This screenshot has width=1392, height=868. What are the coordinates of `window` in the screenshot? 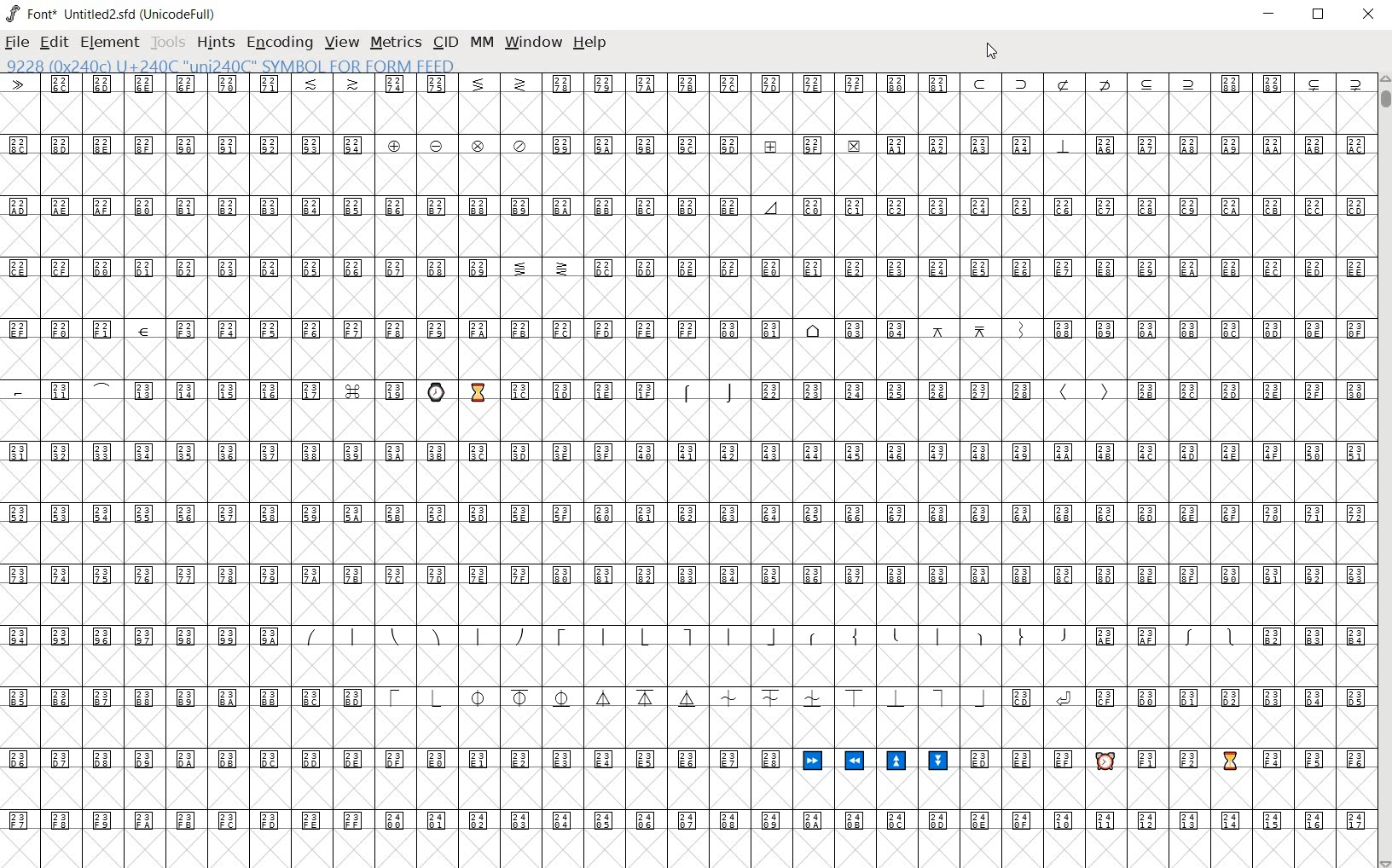 It's located at (535, 43).